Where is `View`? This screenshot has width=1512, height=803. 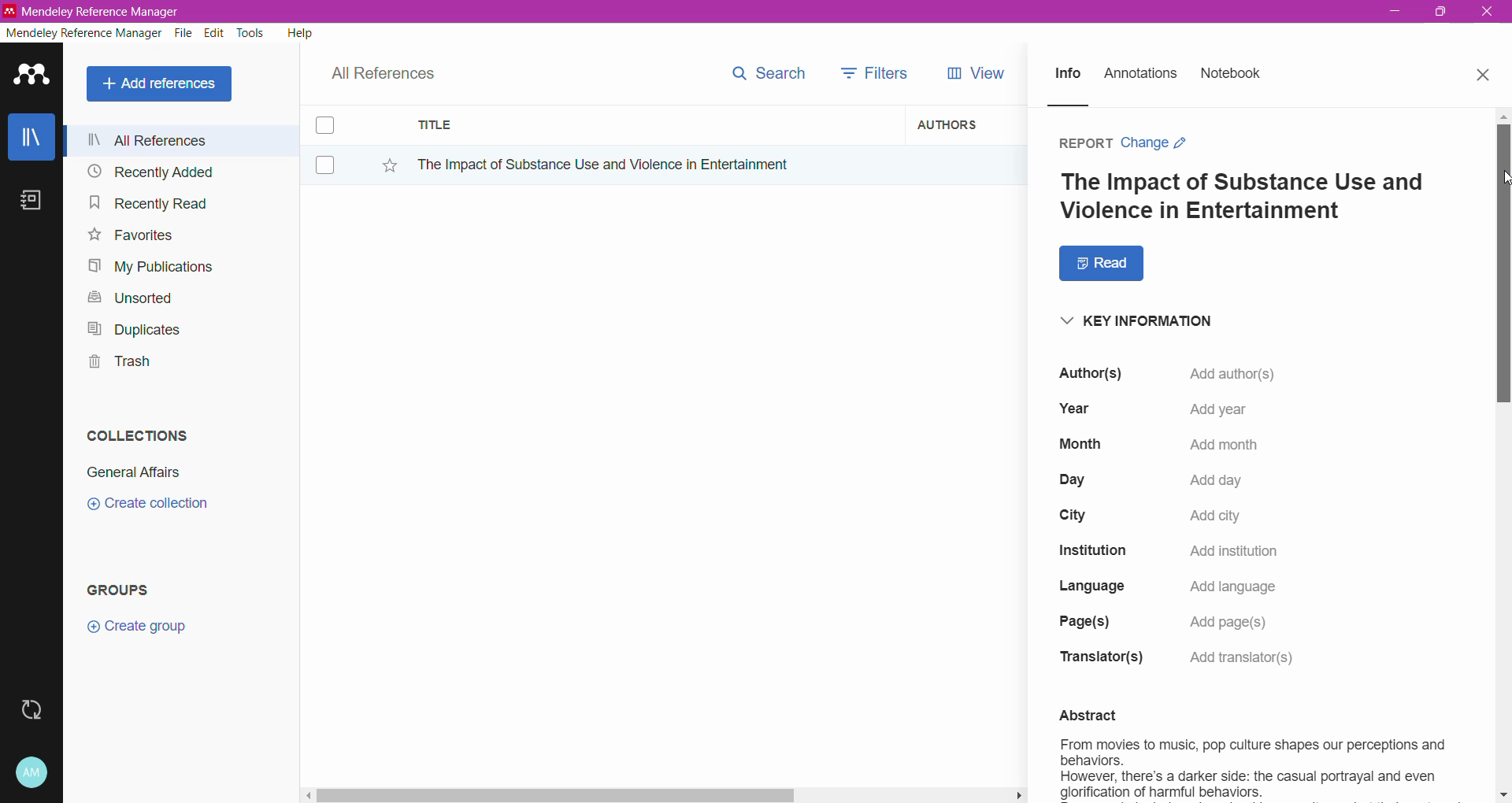
View is located at coordinates (969, 73).